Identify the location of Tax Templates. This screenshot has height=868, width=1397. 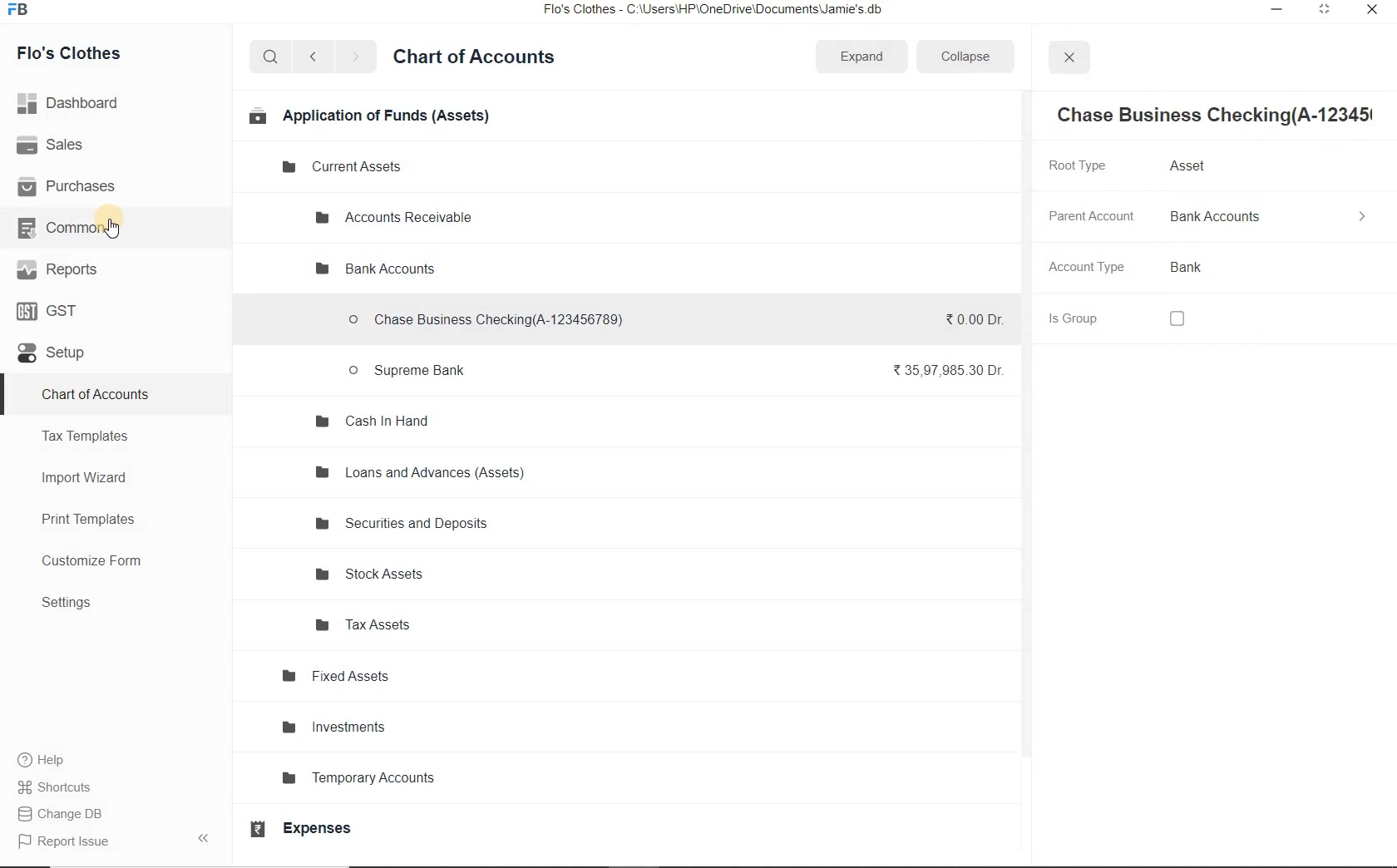
(104, 438).